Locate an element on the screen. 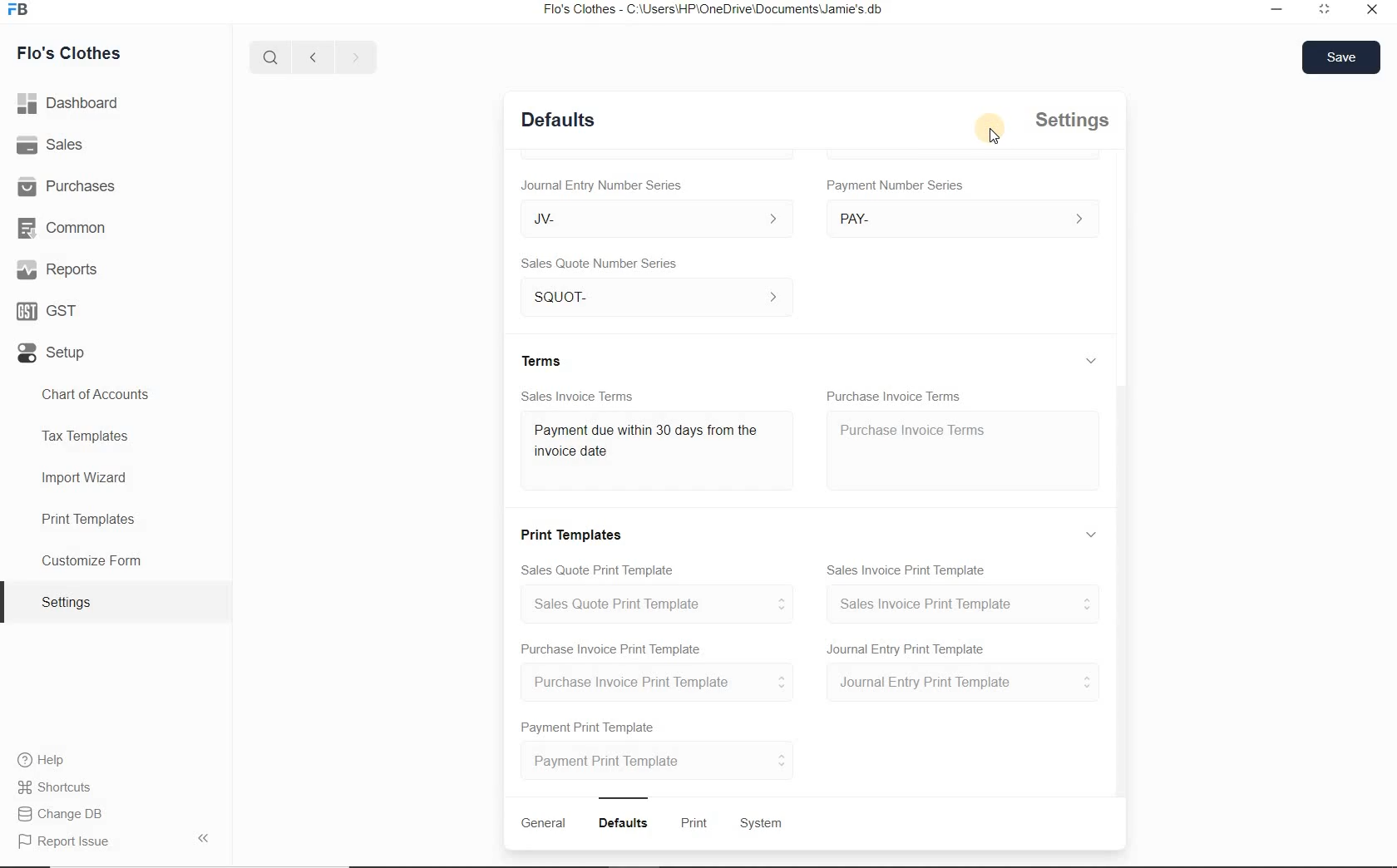 This screenshot has width=1397, height=868. Minimize is located at coordinates (1277, 9).